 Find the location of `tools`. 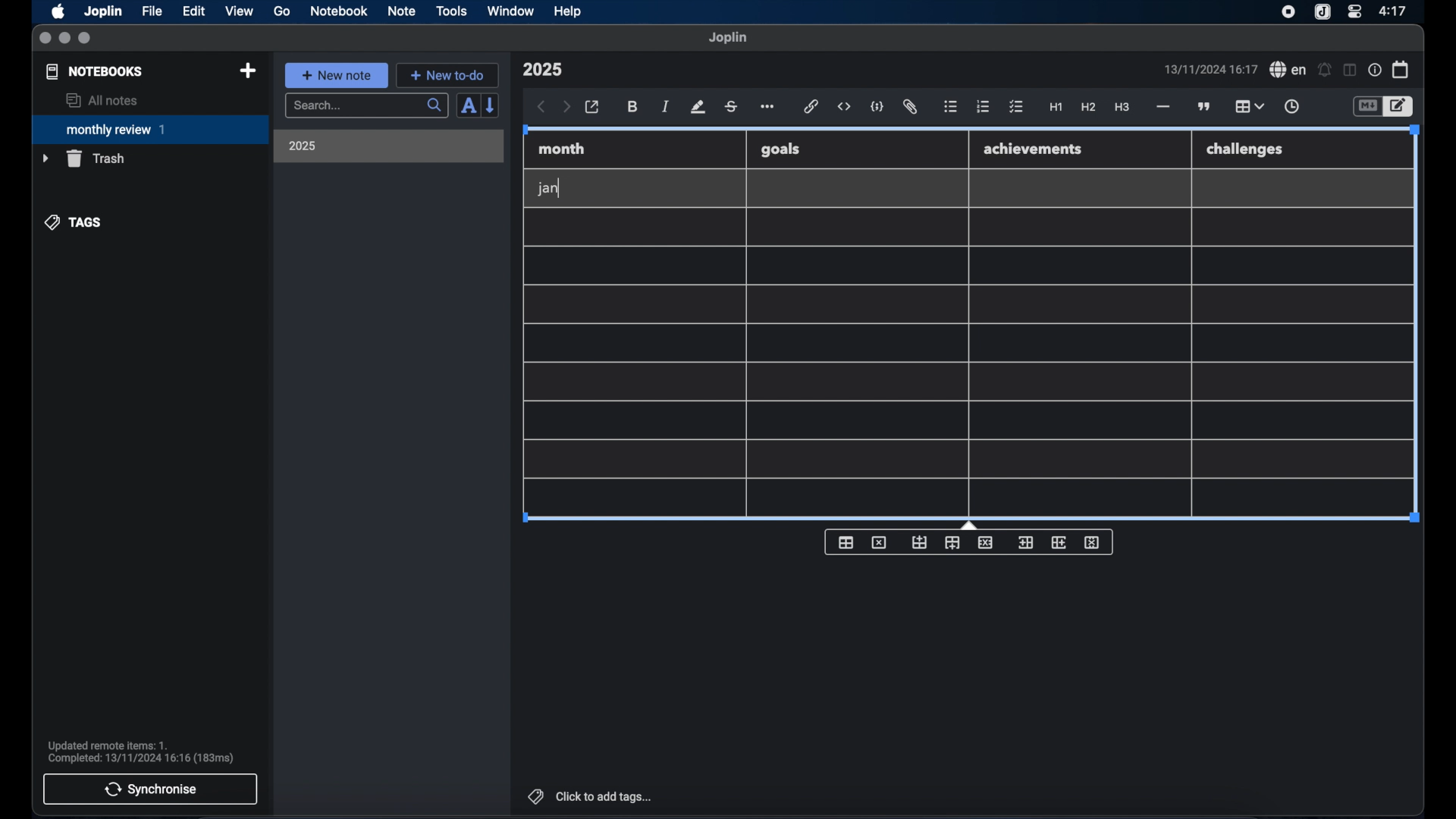

tools is located at coordinates (451, 11).